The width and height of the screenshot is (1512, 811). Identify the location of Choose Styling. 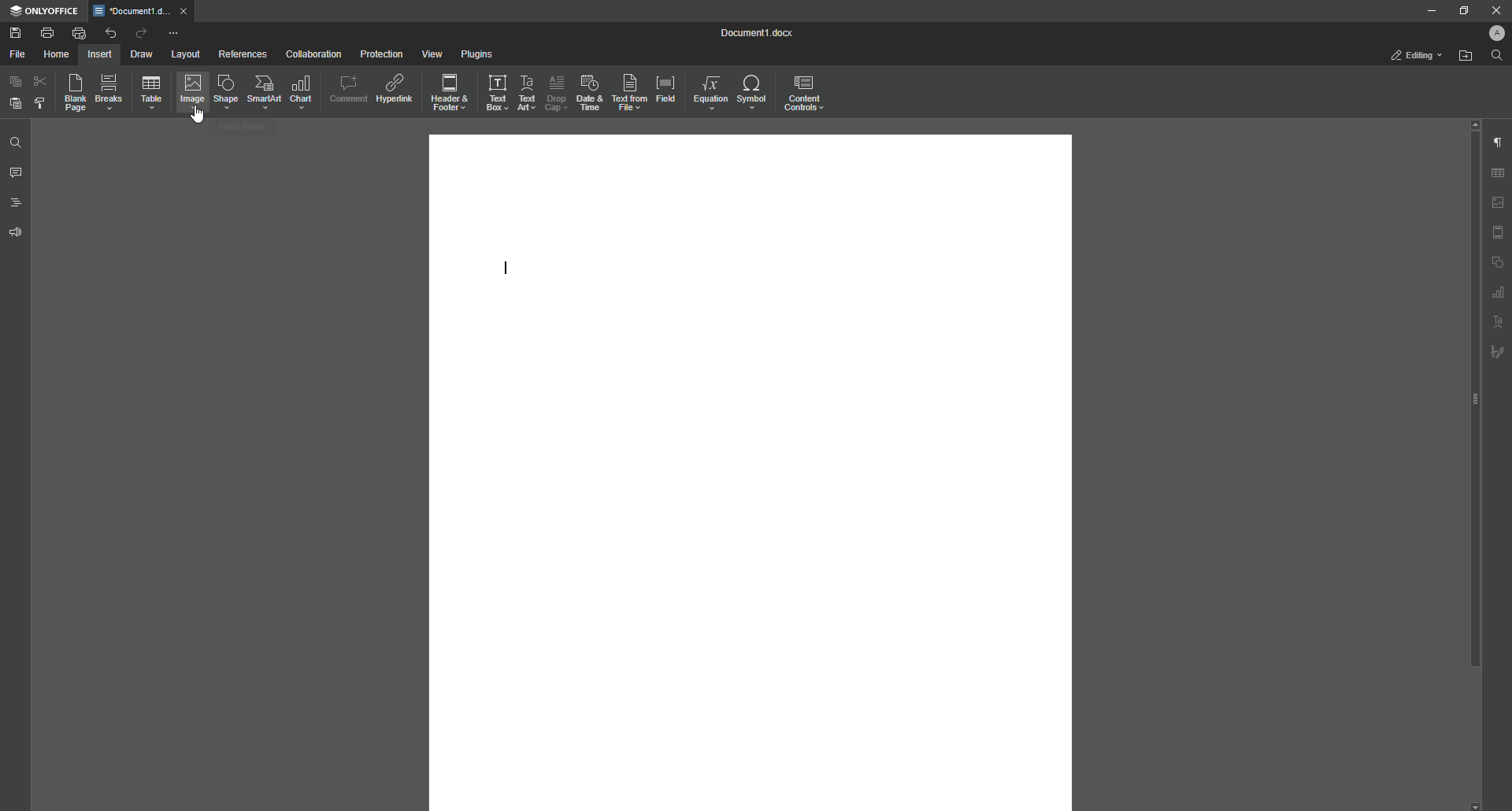
(41, 103).